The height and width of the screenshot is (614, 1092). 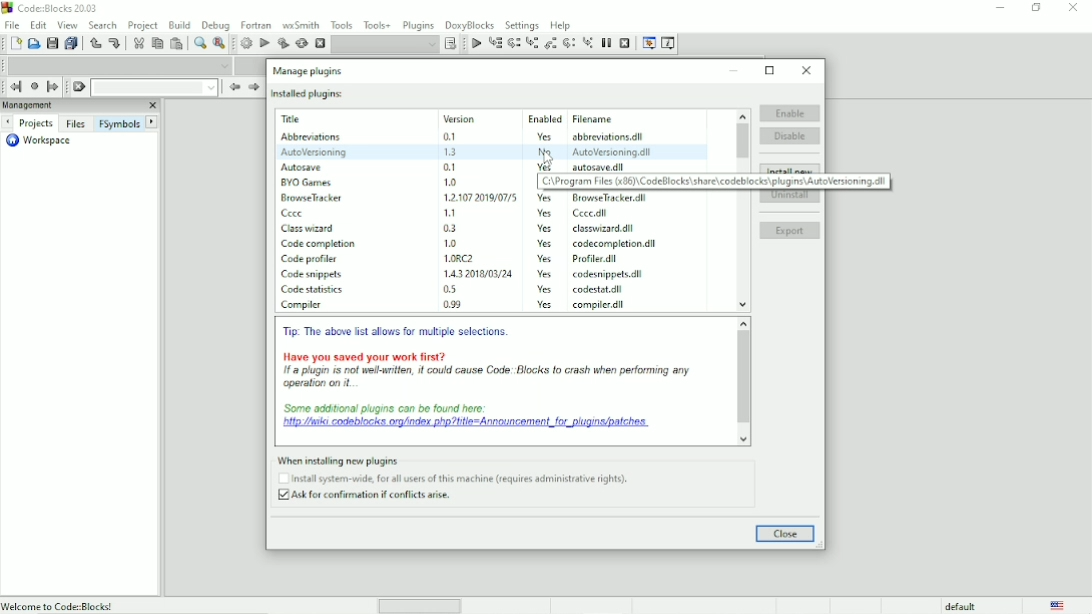 I want to click on Prev, so click(x=9, y=122).